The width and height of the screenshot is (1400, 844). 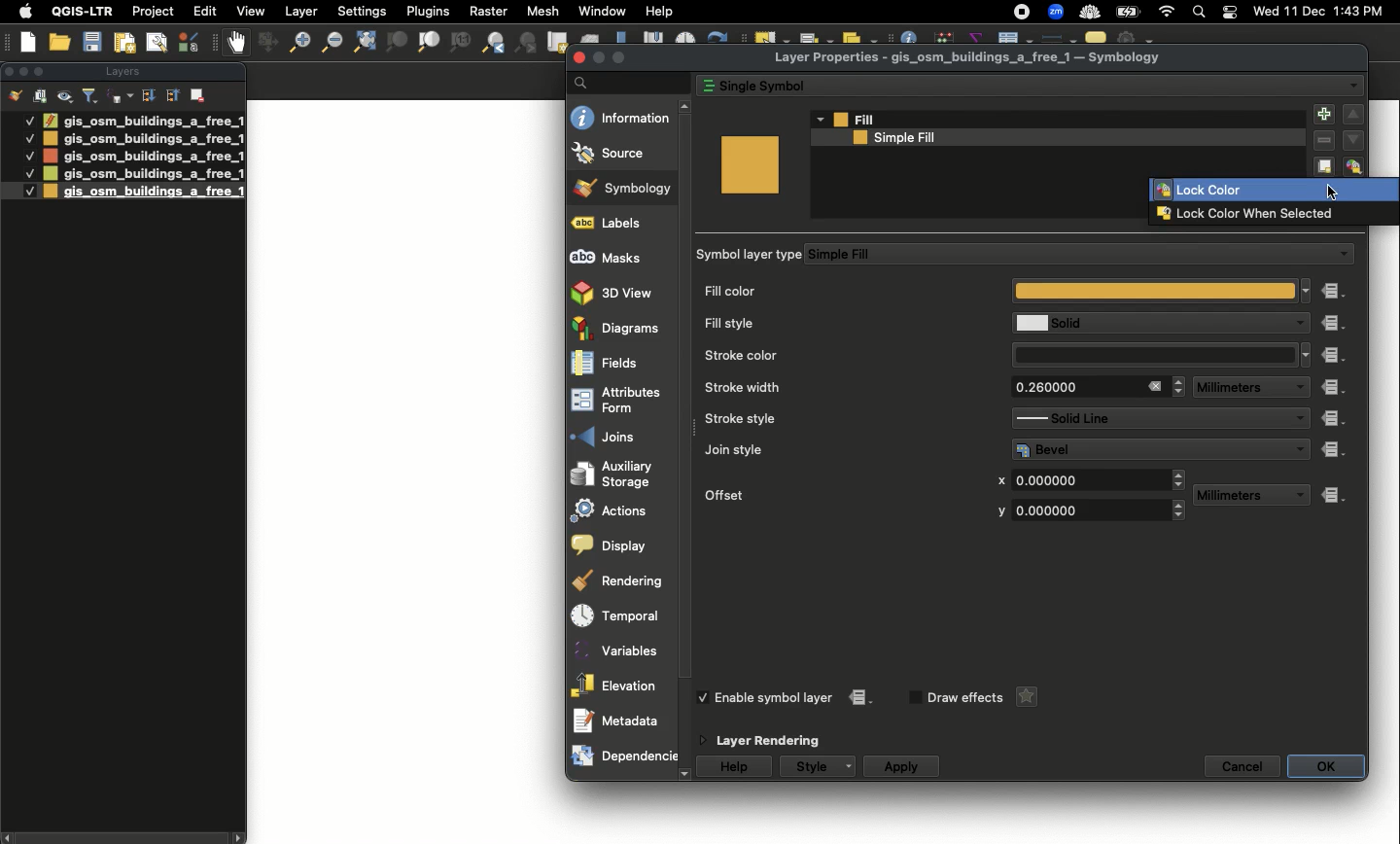 What do you see at coordinates (1324, 142) in the screenshot?
I see `Remove` at bounding box center [1324, 142].